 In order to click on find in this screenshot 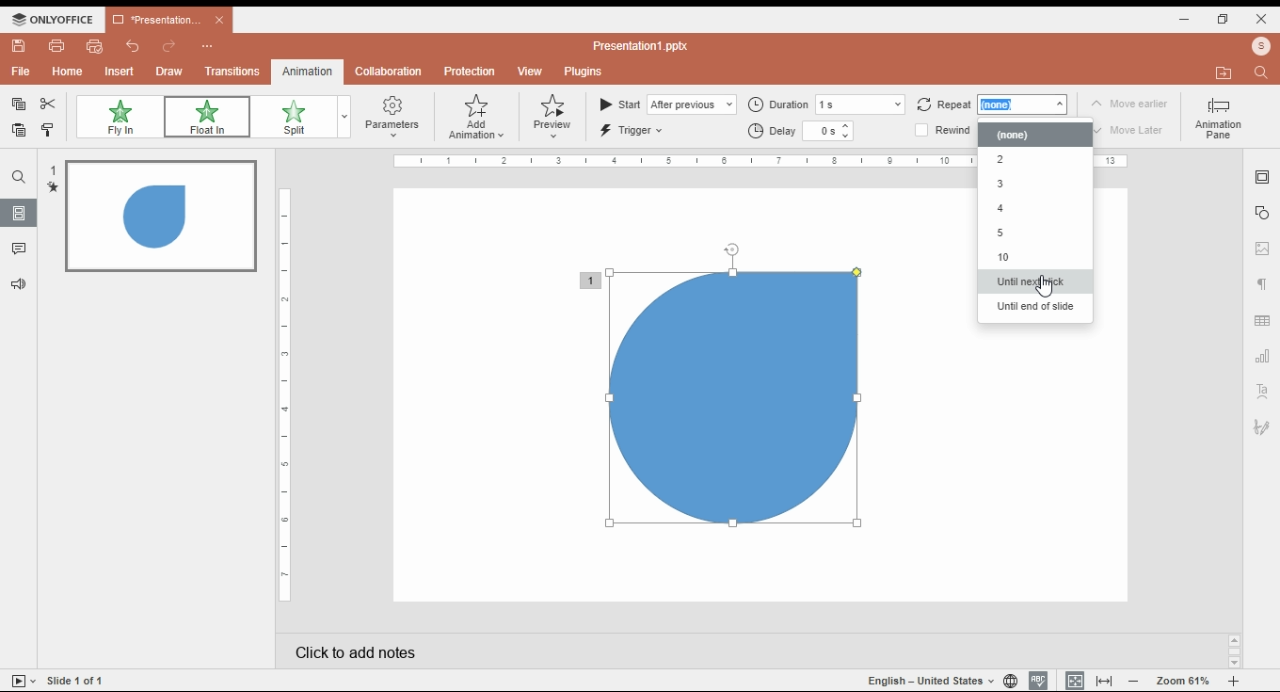, I will do `click(19, 177)`.